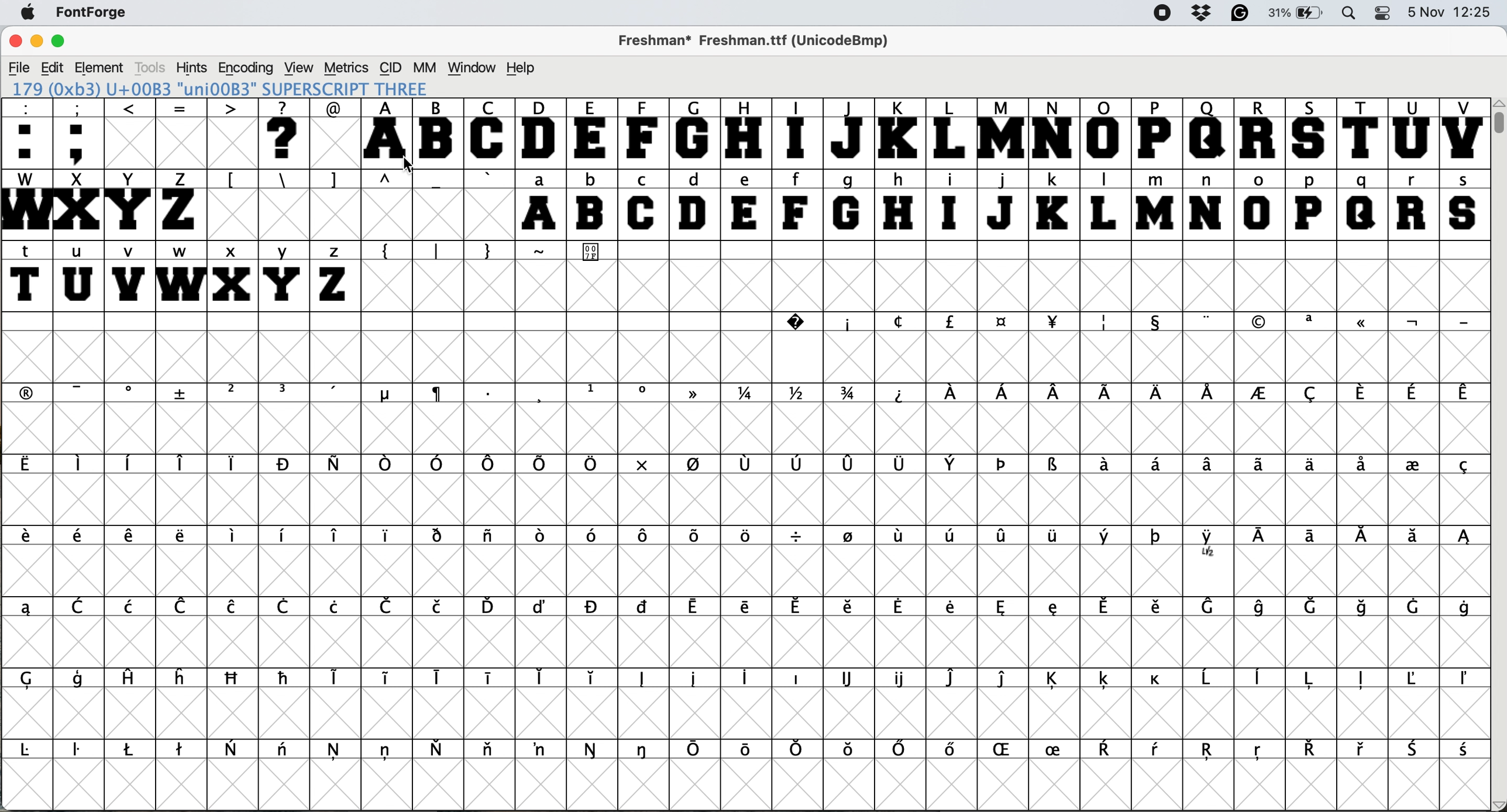  What do you see at coordinates (748, 466) in the screenshot?
I see `symbol` at bounding box center [748, 466].